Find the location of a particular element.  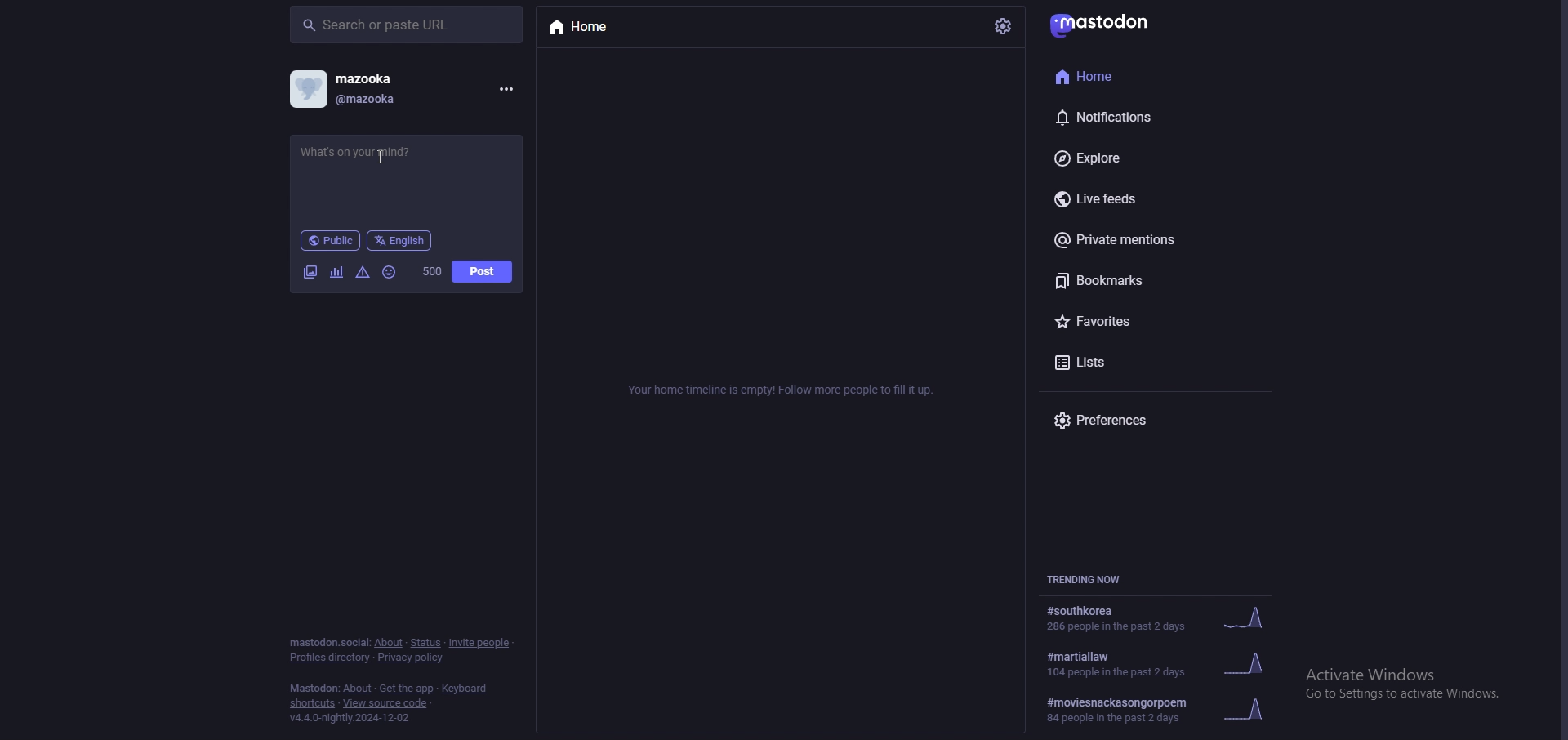

polls is located at coordinates (338, 274).